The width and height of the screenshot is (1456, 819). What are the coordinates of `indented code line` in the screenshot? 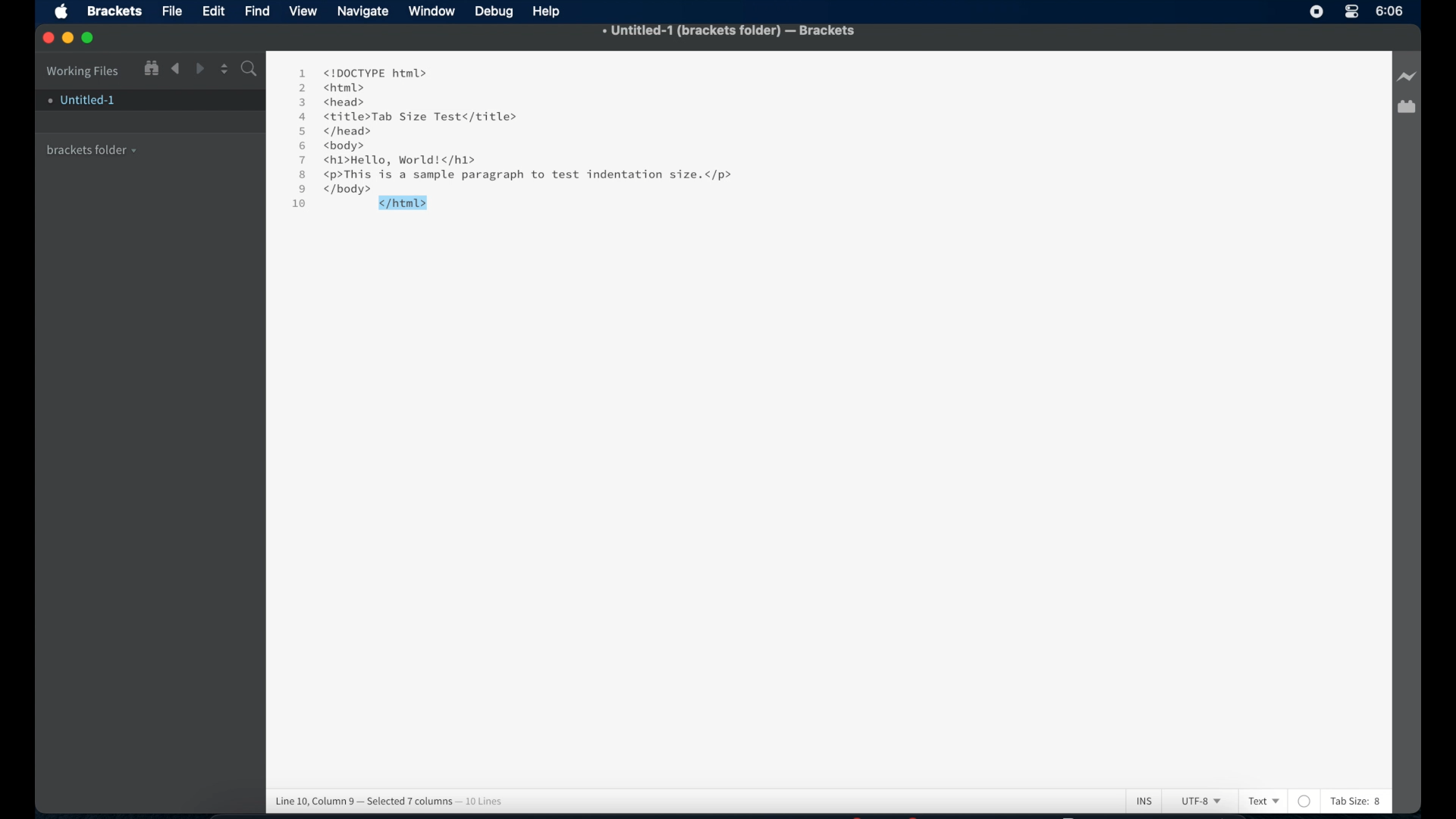 It's located at (403, 202).